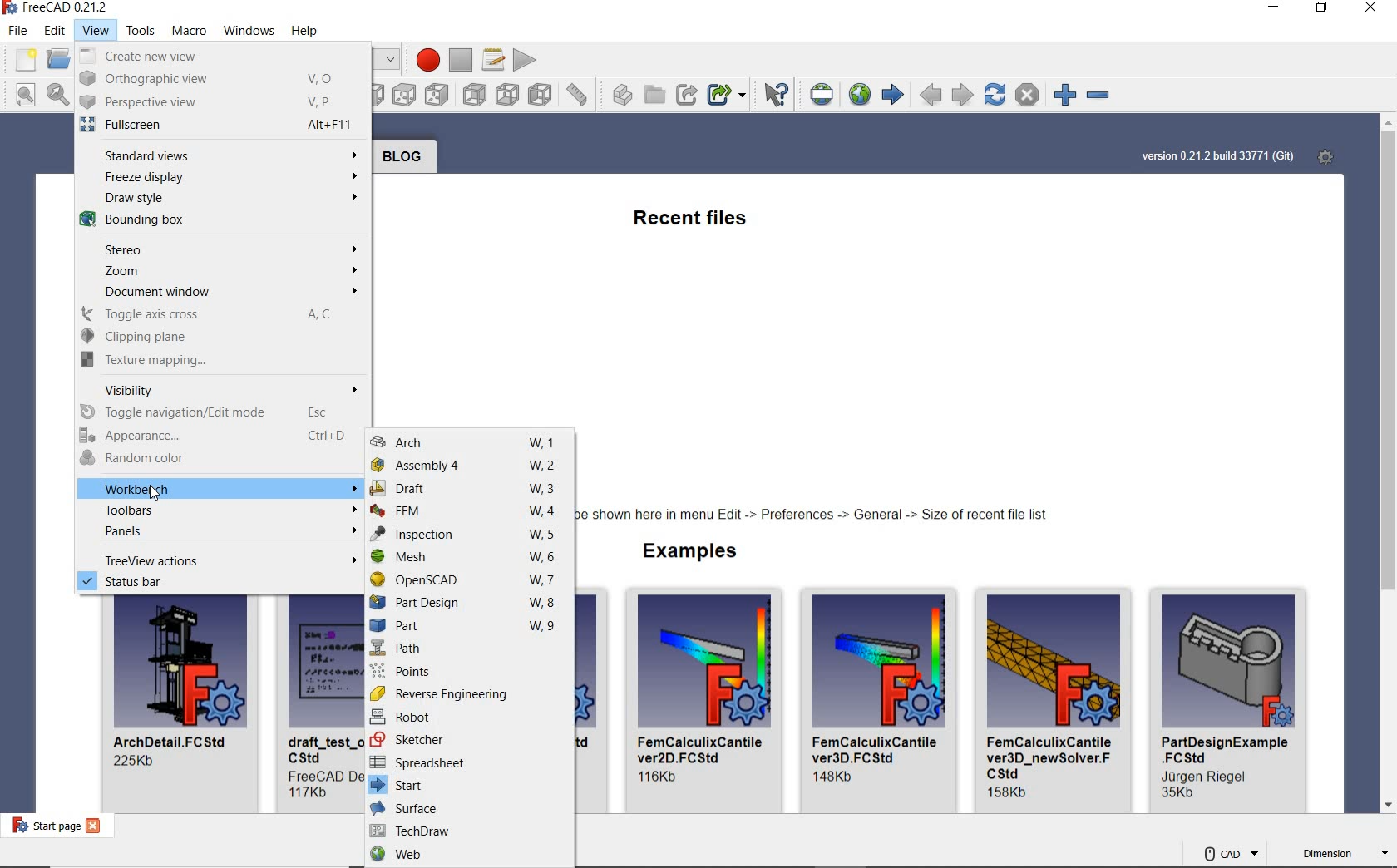  Describe the element at coordinates (467, 579) in the screenshot. I see `openSCAD` at that location.